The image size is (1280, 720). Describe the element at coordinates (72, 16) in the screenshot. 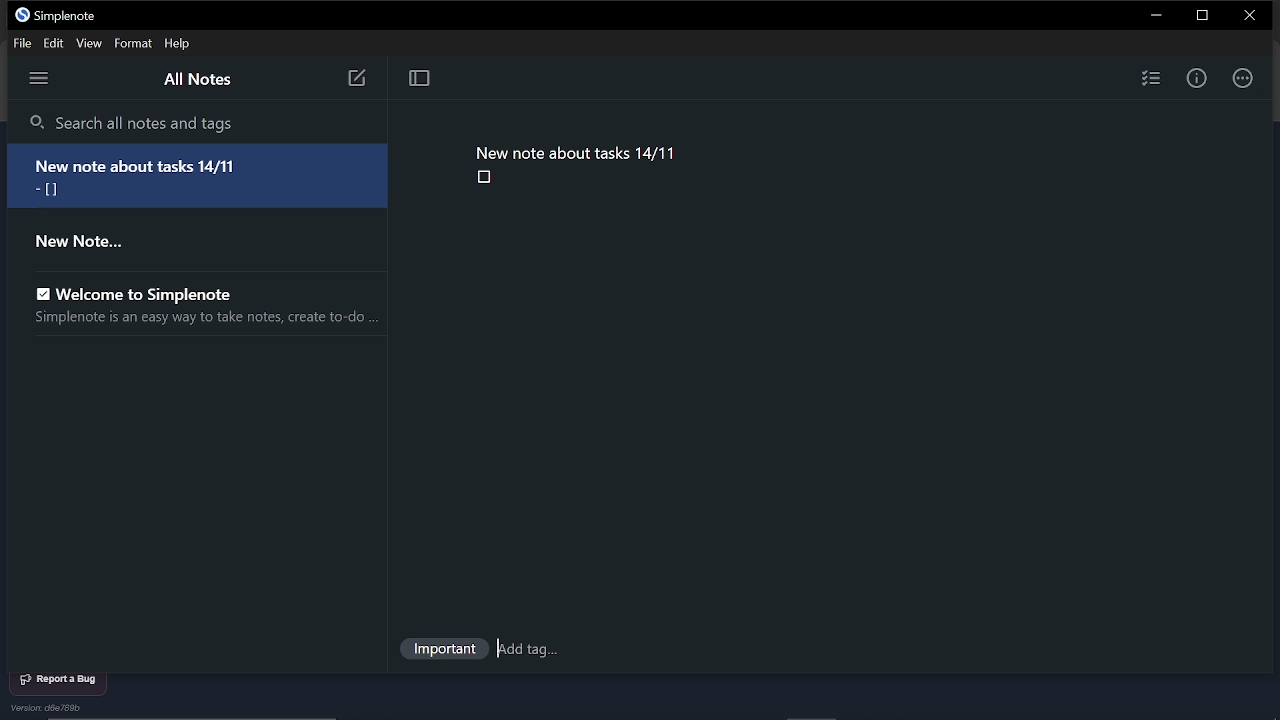

I see ` Simplenote` at that location.